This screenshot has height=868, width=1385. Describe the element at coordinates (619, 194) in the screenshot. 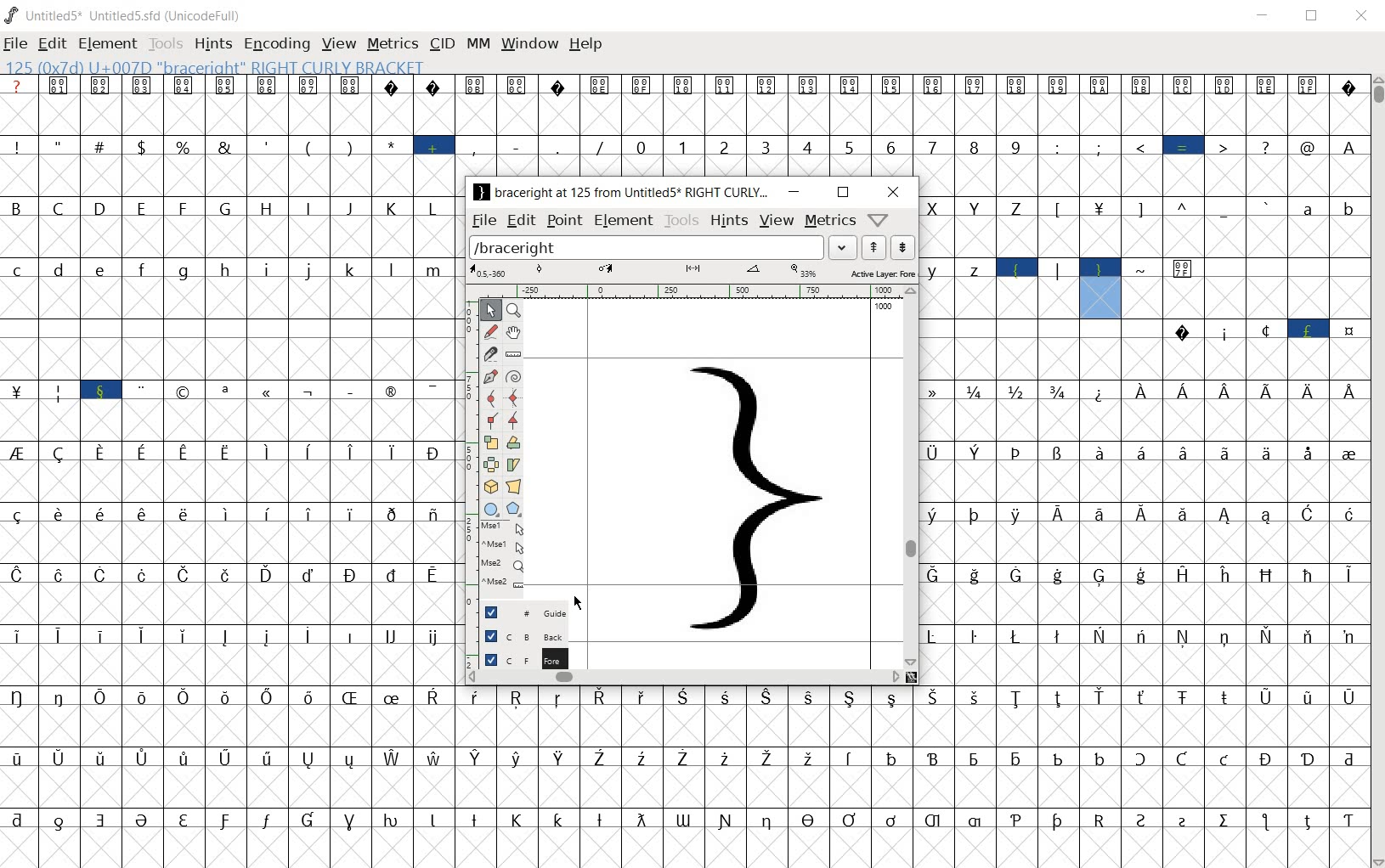

I see `braceright at 125 from Untitled5 RIGHT CURLY ...` at that location.